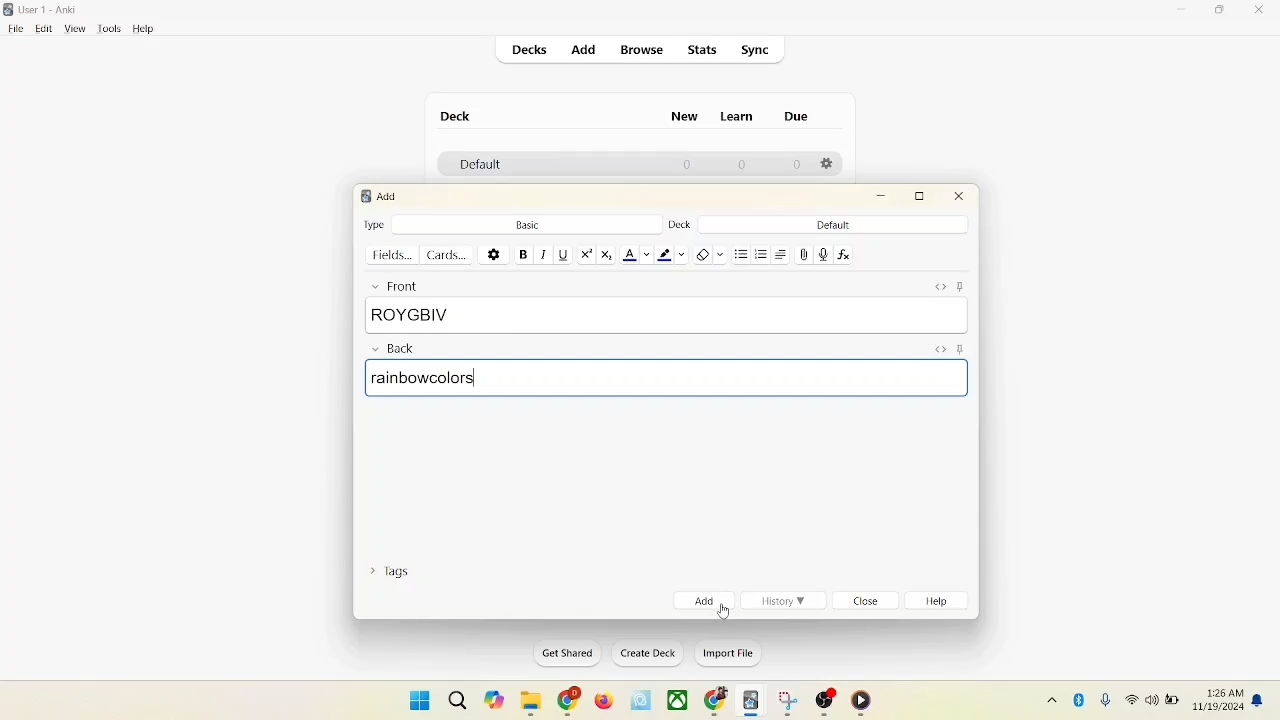 The width and height of the screenshot is (1280, 720). Describe the element at coordinates (412, 699) in the screenshot. I see `window` at that location.